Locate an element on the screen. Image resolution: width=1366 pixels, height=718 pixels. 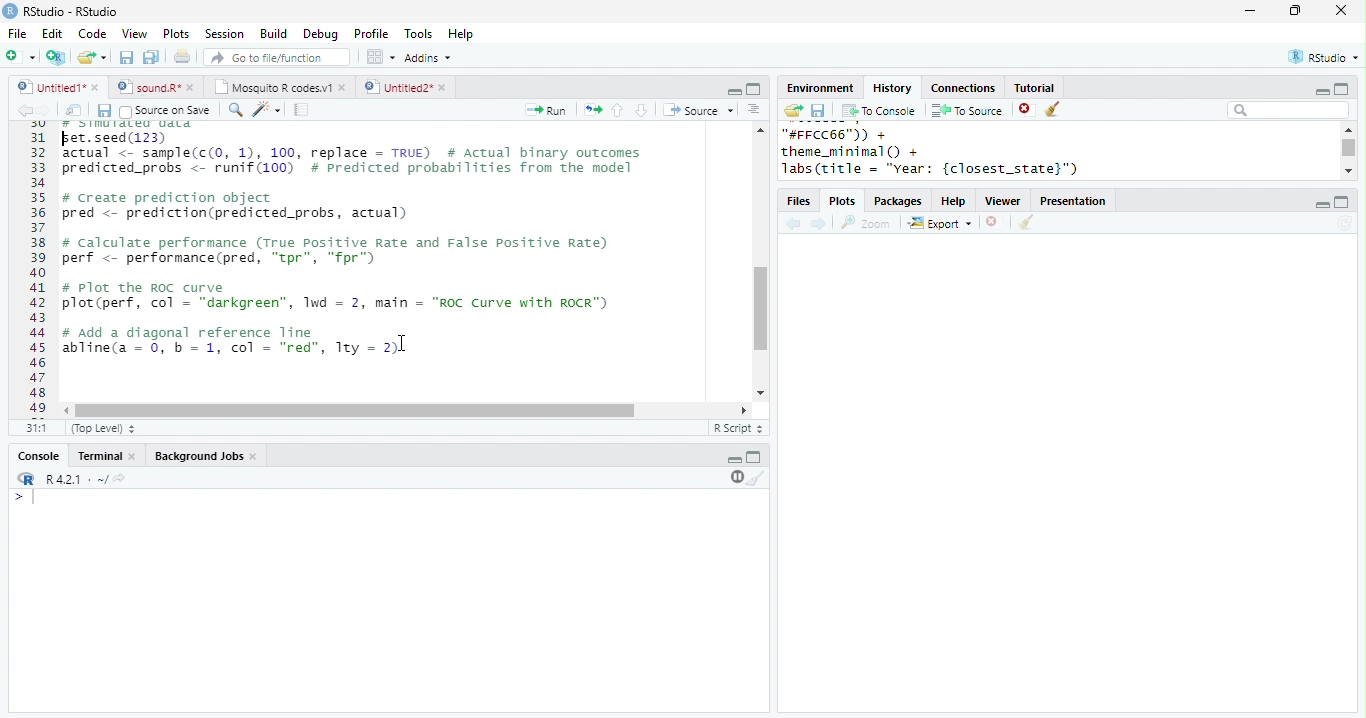
open folder is located at coordinates (792, 110).